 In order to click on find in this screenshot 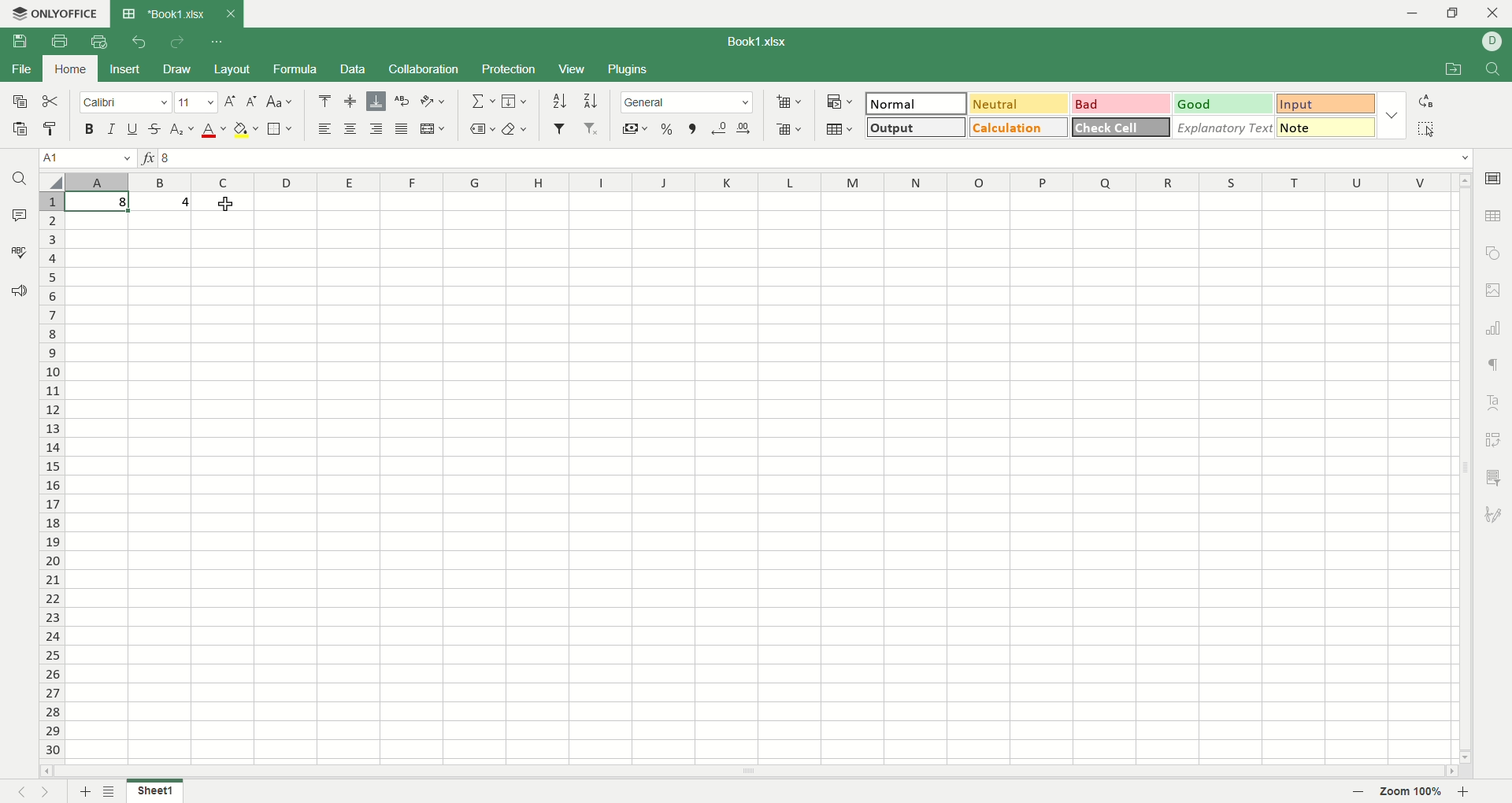, I will do `click(24, 178)`.